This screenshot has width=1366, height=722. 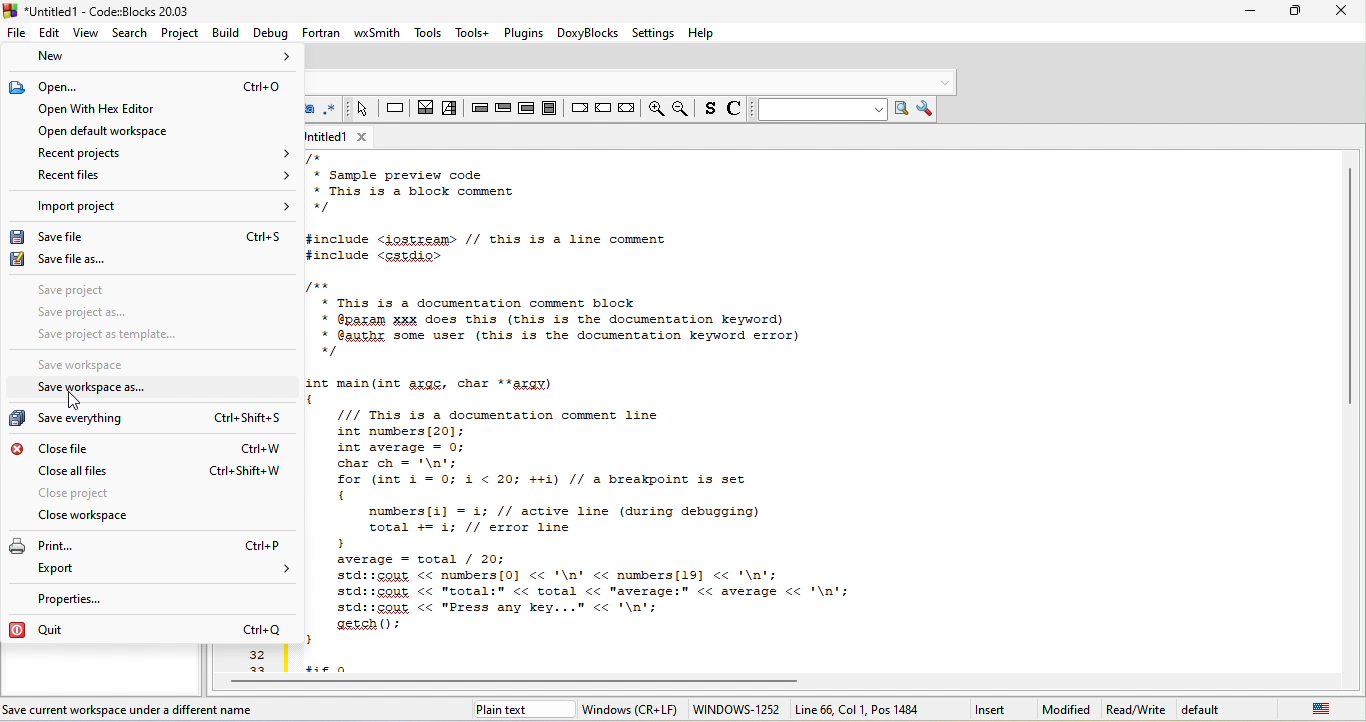 What do you see at coordinates (161, 207) in the screenshot?
I see `import project` at bounding box center [161, 207].